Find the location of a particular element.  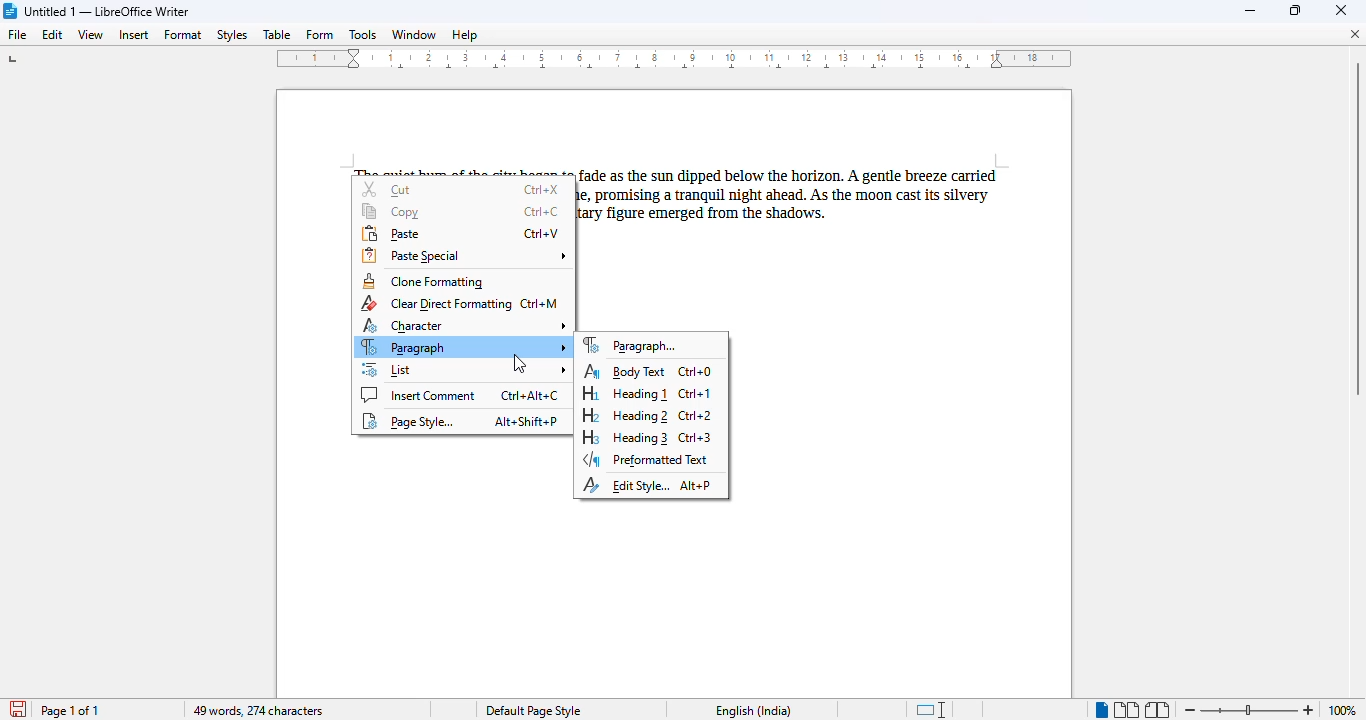

click to save document is located at coordinates (18, 709).